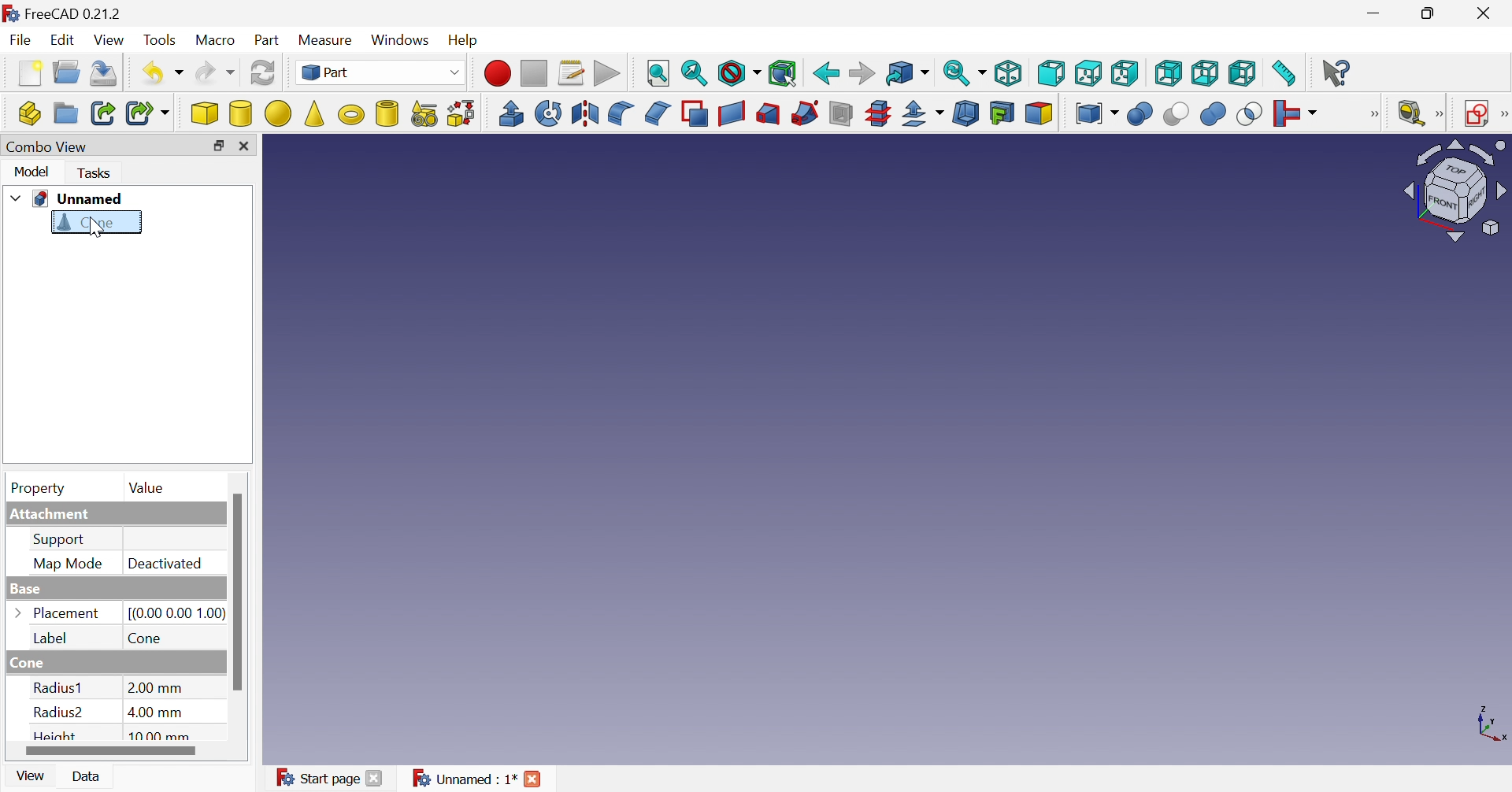 This screenshot has width=1512, height=792. Describe the element at coordinates (53, 639) in the screenshot. I see `Label` at that location.